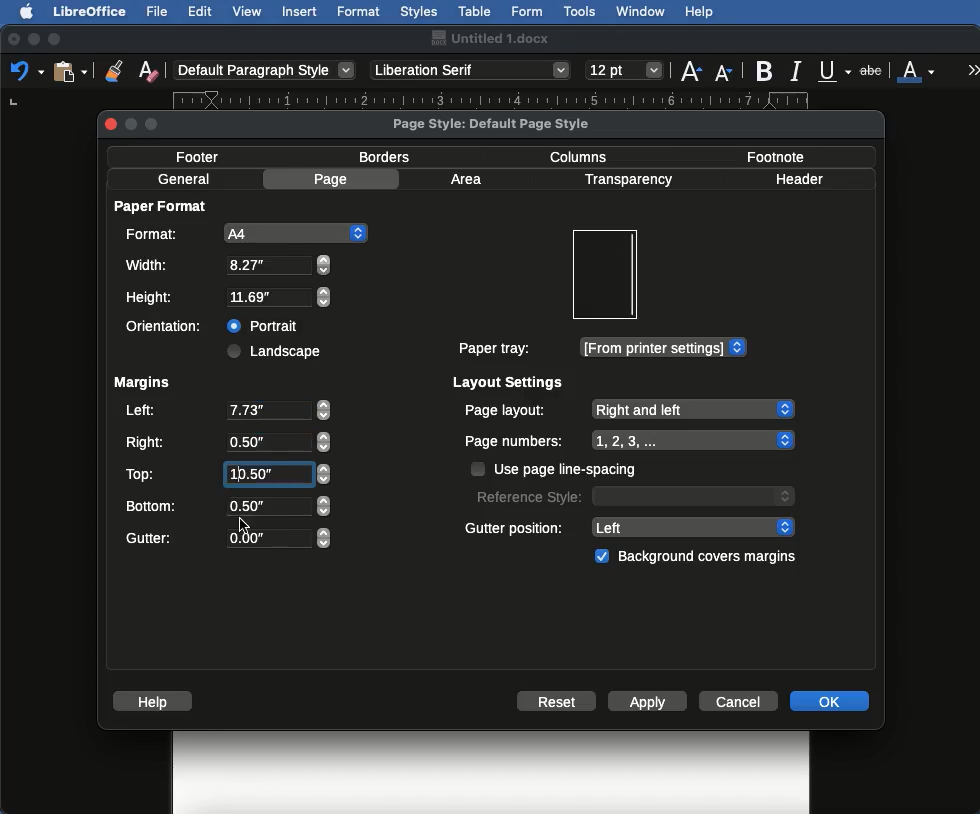  I want to click on OK, so click(829, 700).